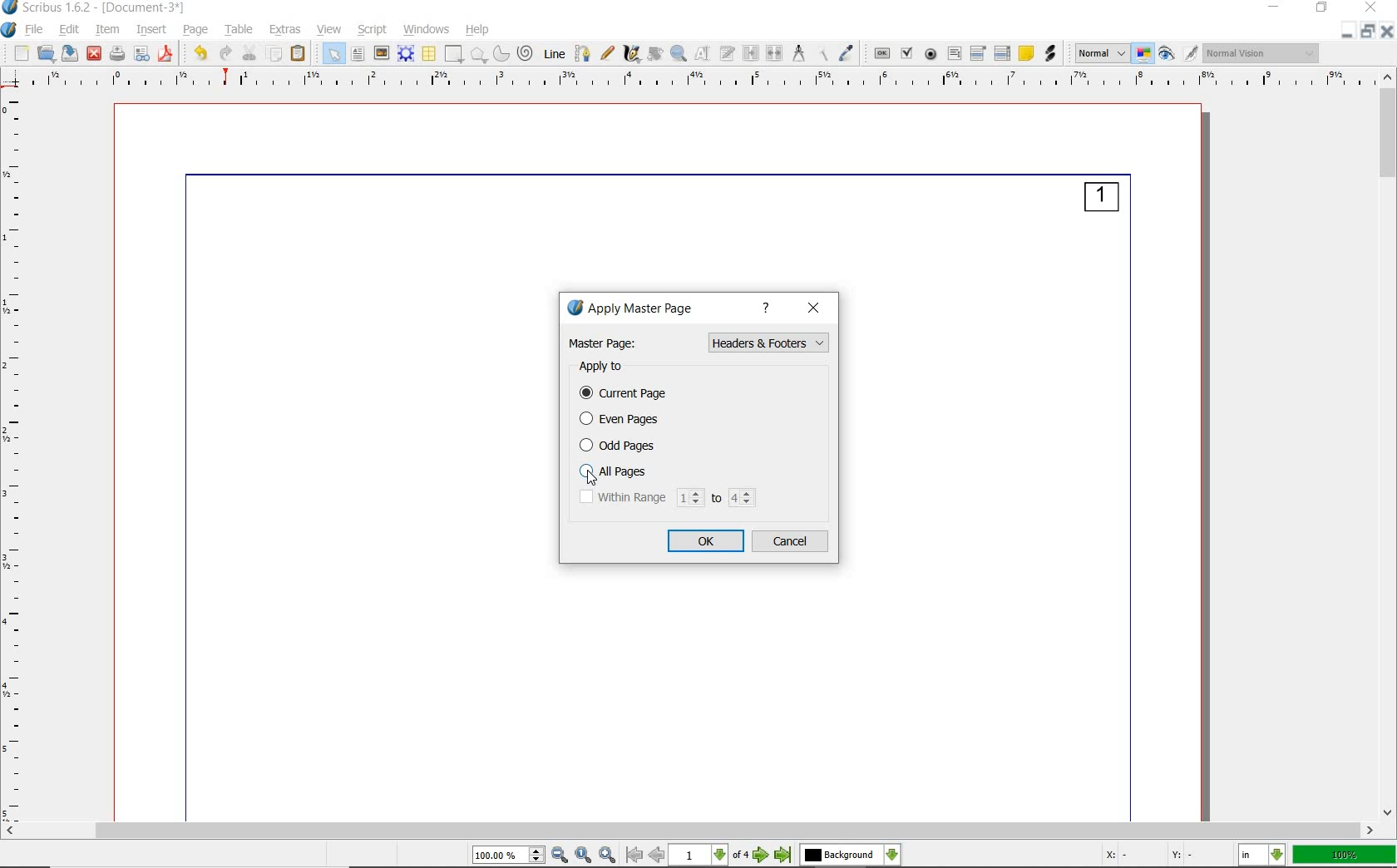 The height and width of the screenshot is (868, 1397). I want to click on scrollbar, so click(1388, 446).